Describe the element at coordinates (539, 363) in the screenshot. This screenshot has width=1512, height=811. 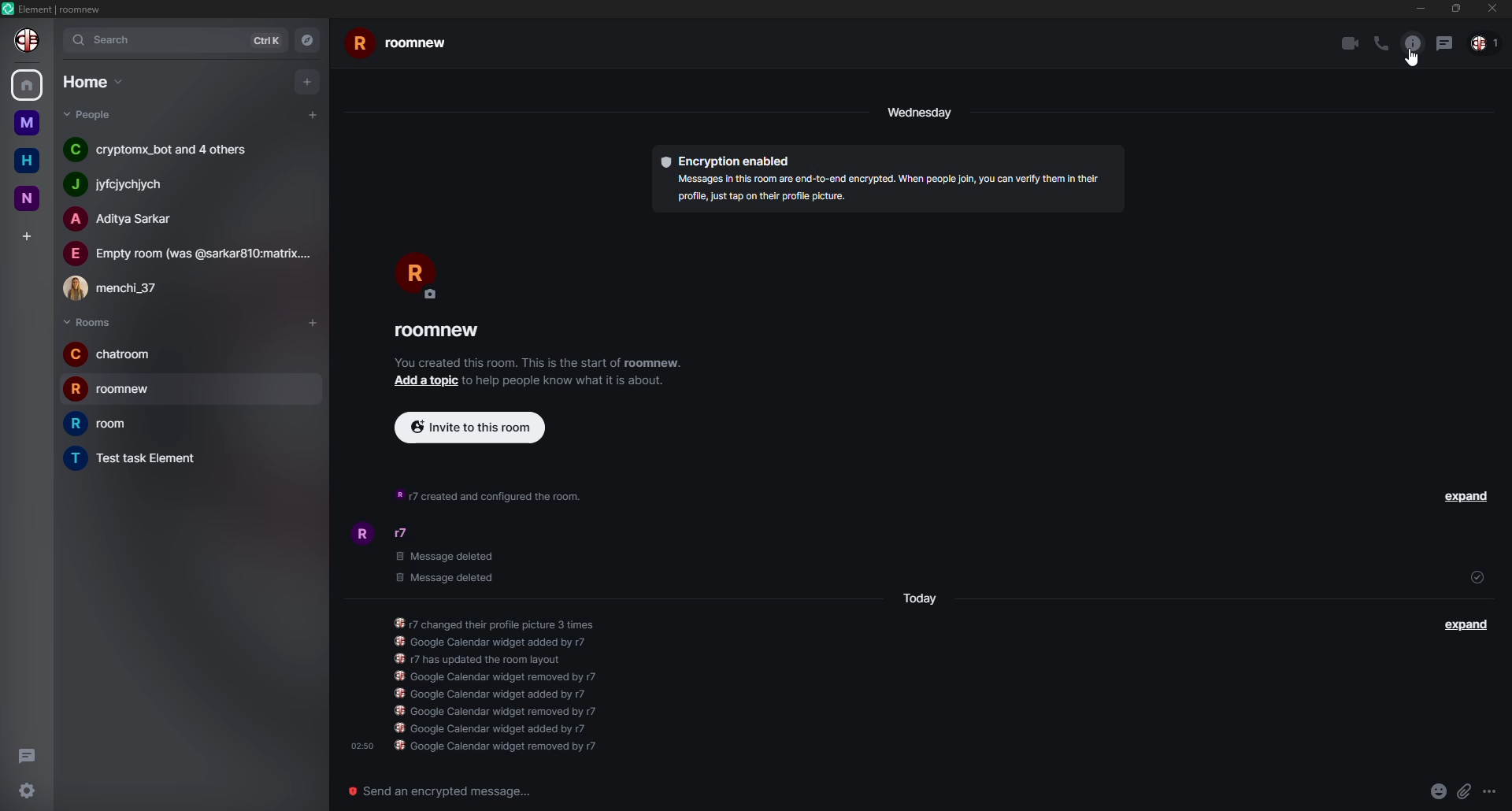
I see `info` at that location.